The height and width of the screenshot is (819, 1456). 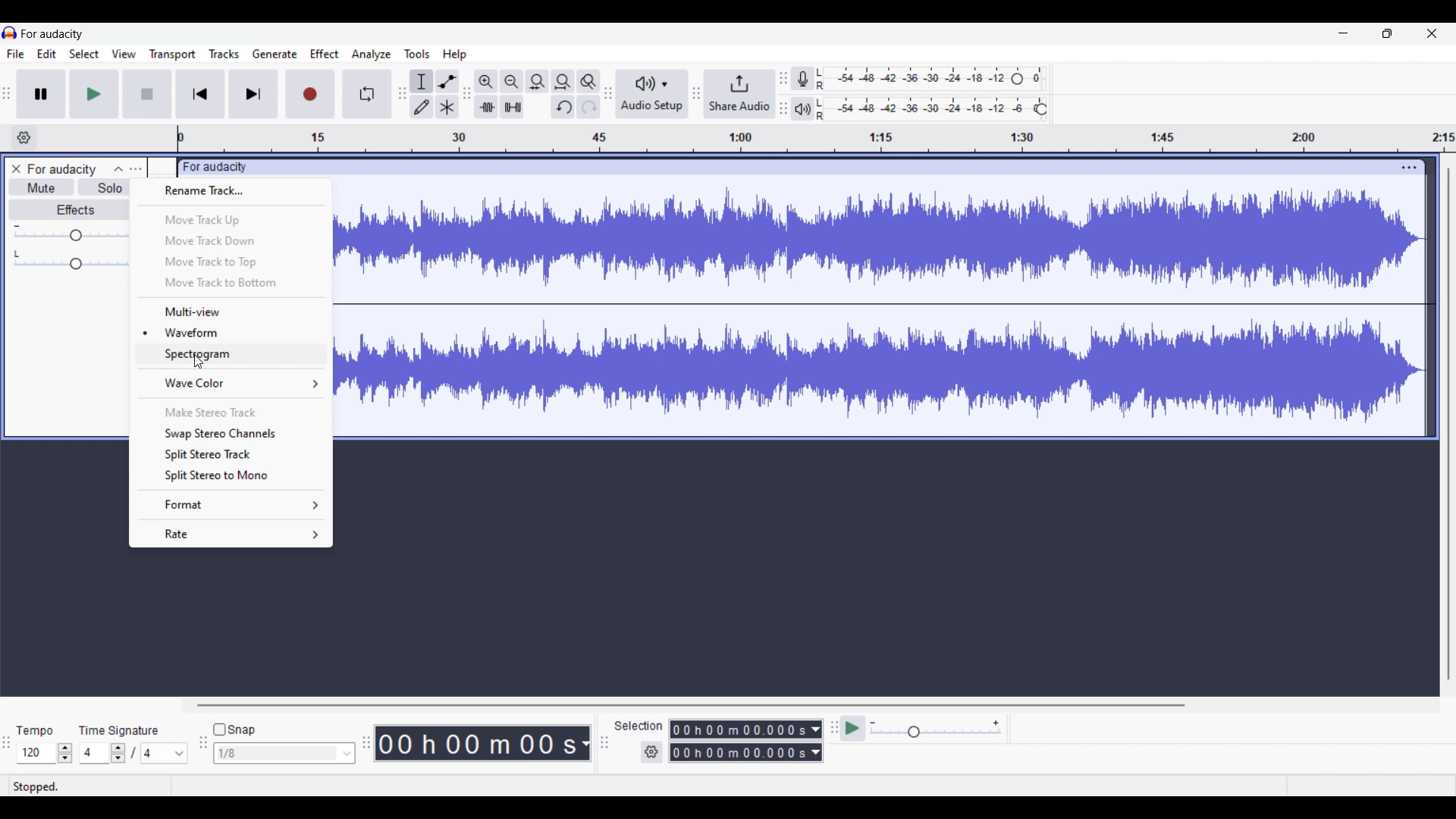 I want to click on Zoom toggle, so click(x=588, y=82).